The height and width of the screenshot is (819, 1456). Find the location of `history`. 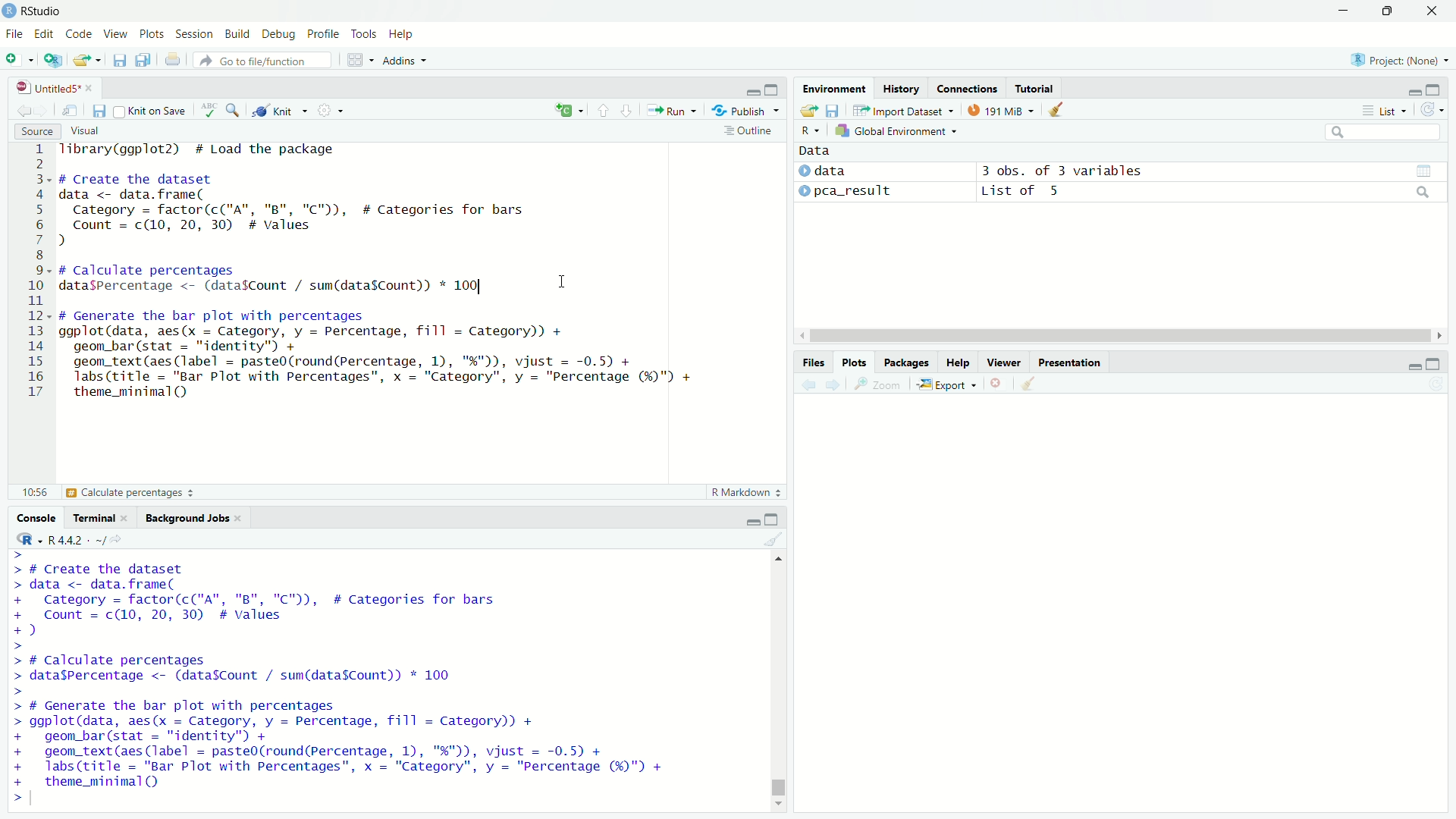

history is located at coordinates (901, 89).